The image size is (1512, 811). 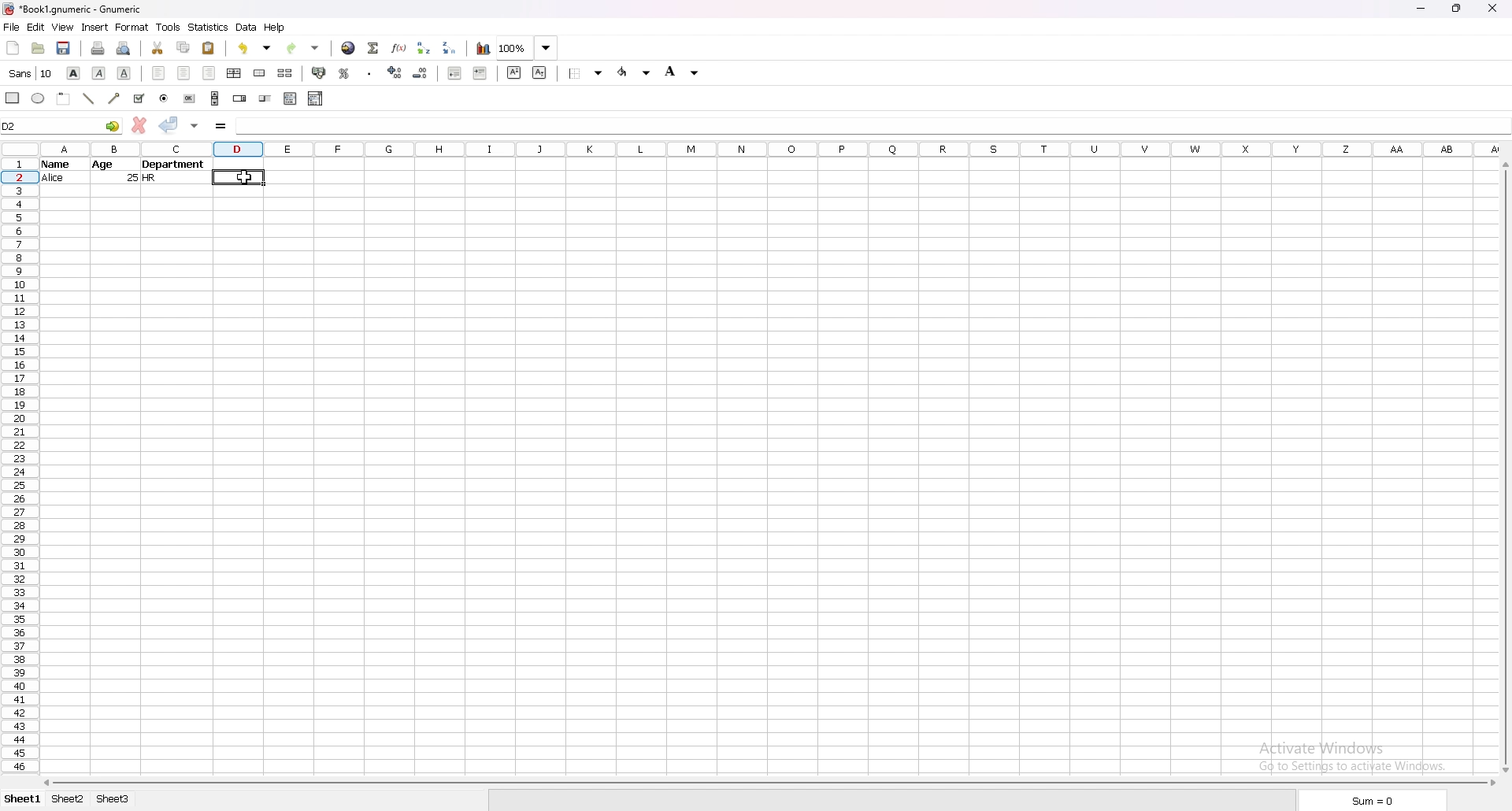 I want to click on list, so click(x=291, y=98).